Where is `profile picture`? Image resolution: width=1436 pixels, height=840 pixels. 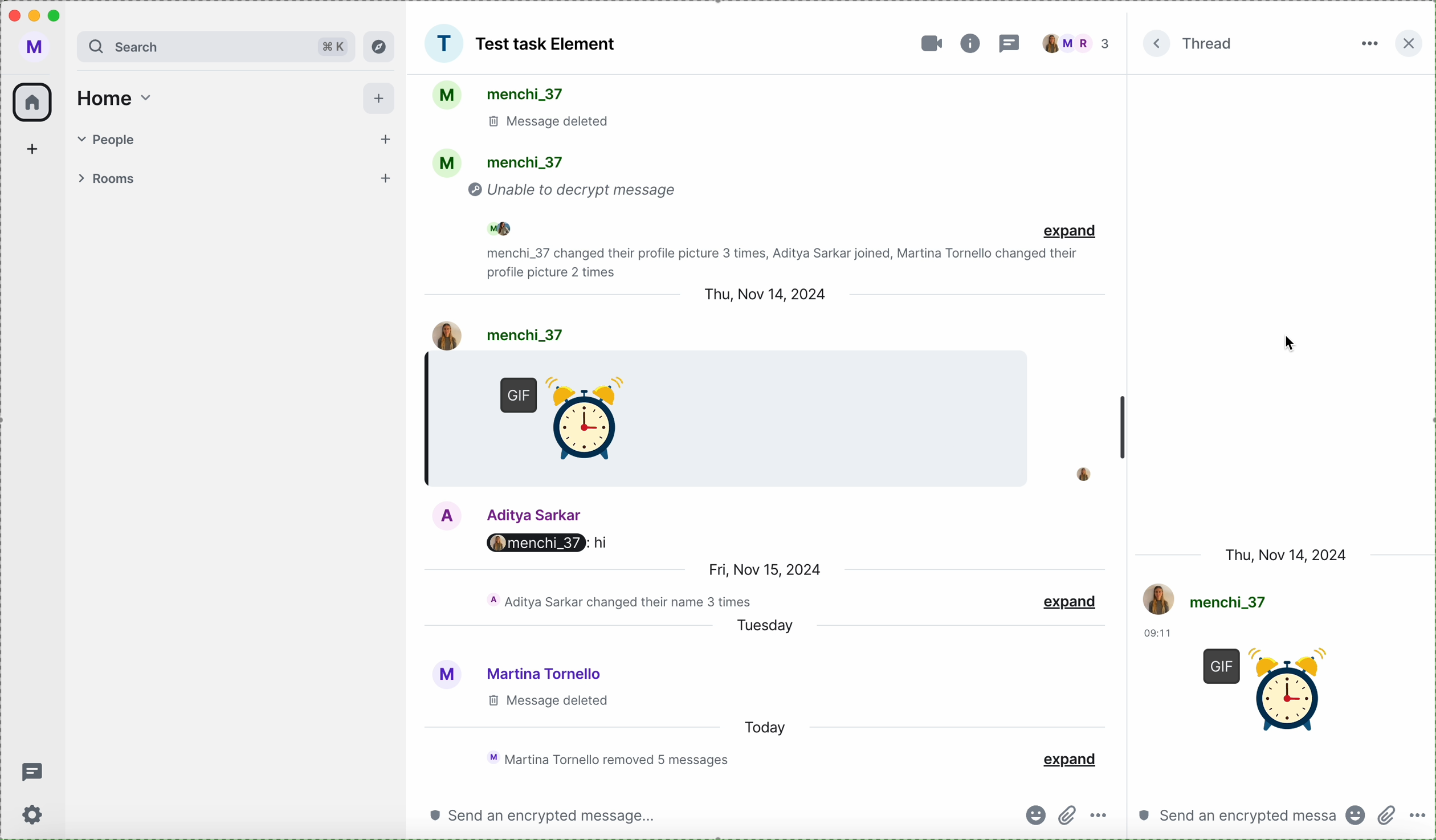
profile picture is located at coordinates (1076, 473).